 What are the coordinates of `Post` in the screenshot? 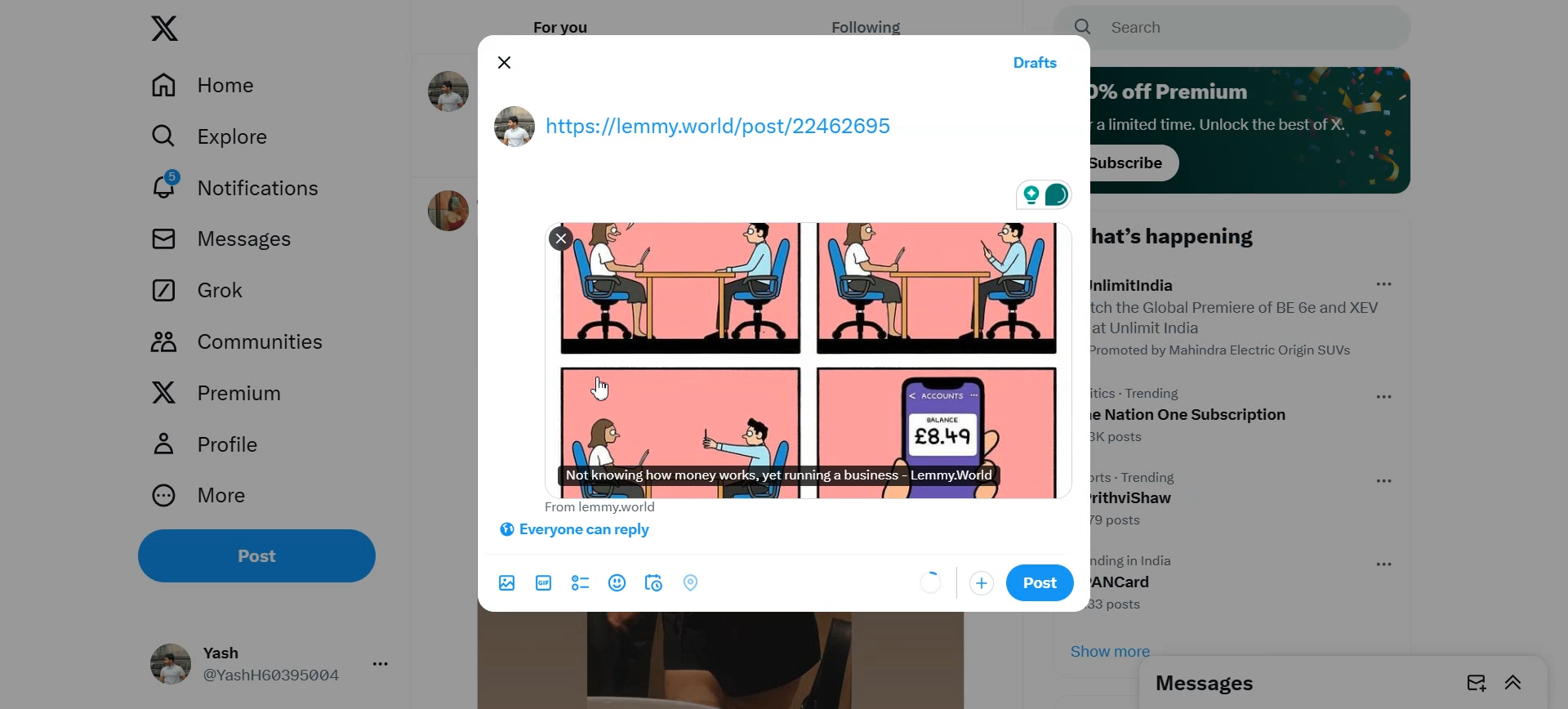 It's located at (1041, 583).